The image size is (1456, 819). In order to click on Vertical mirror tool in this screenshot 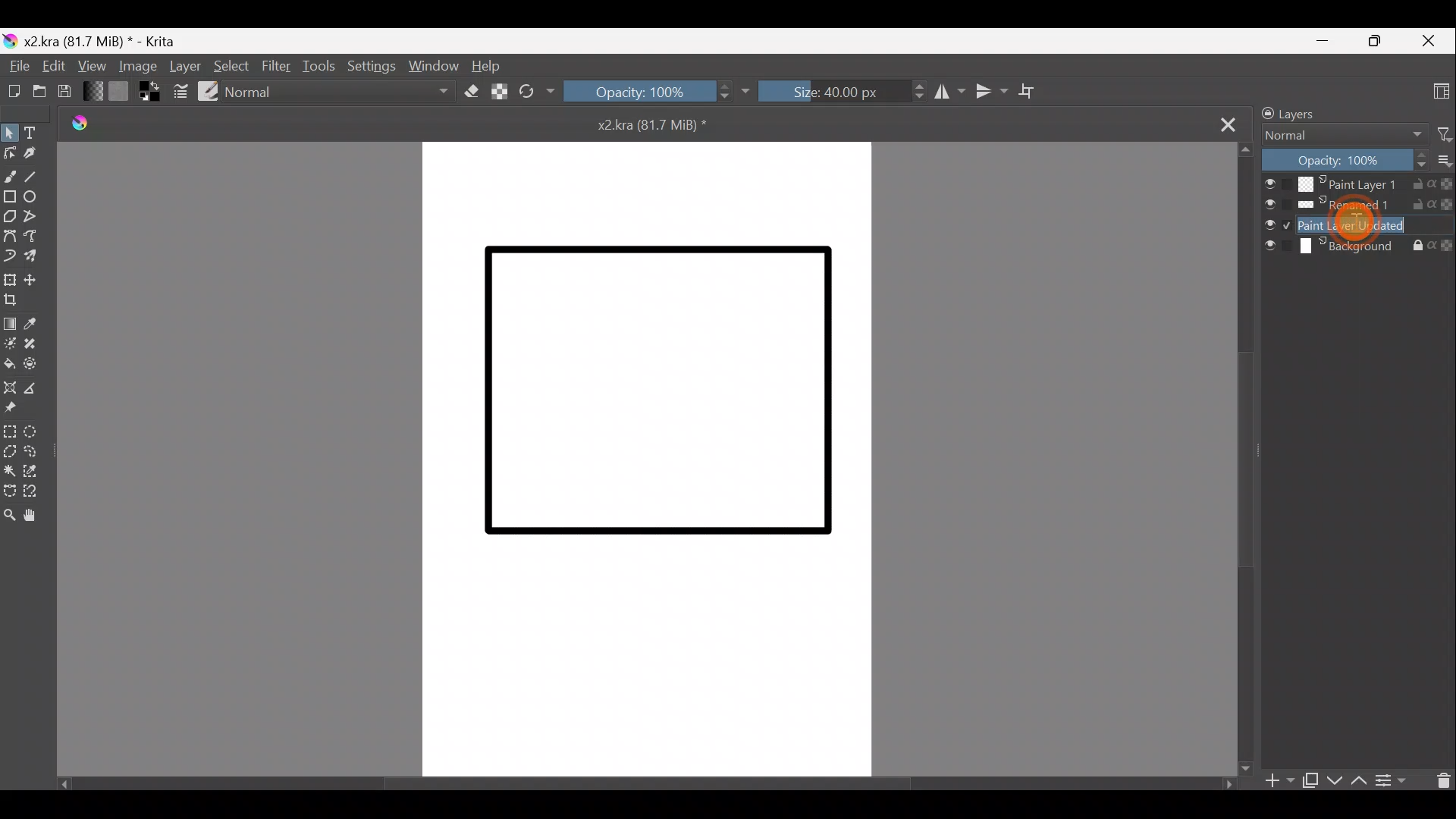, I will do `click(991, 86)`.